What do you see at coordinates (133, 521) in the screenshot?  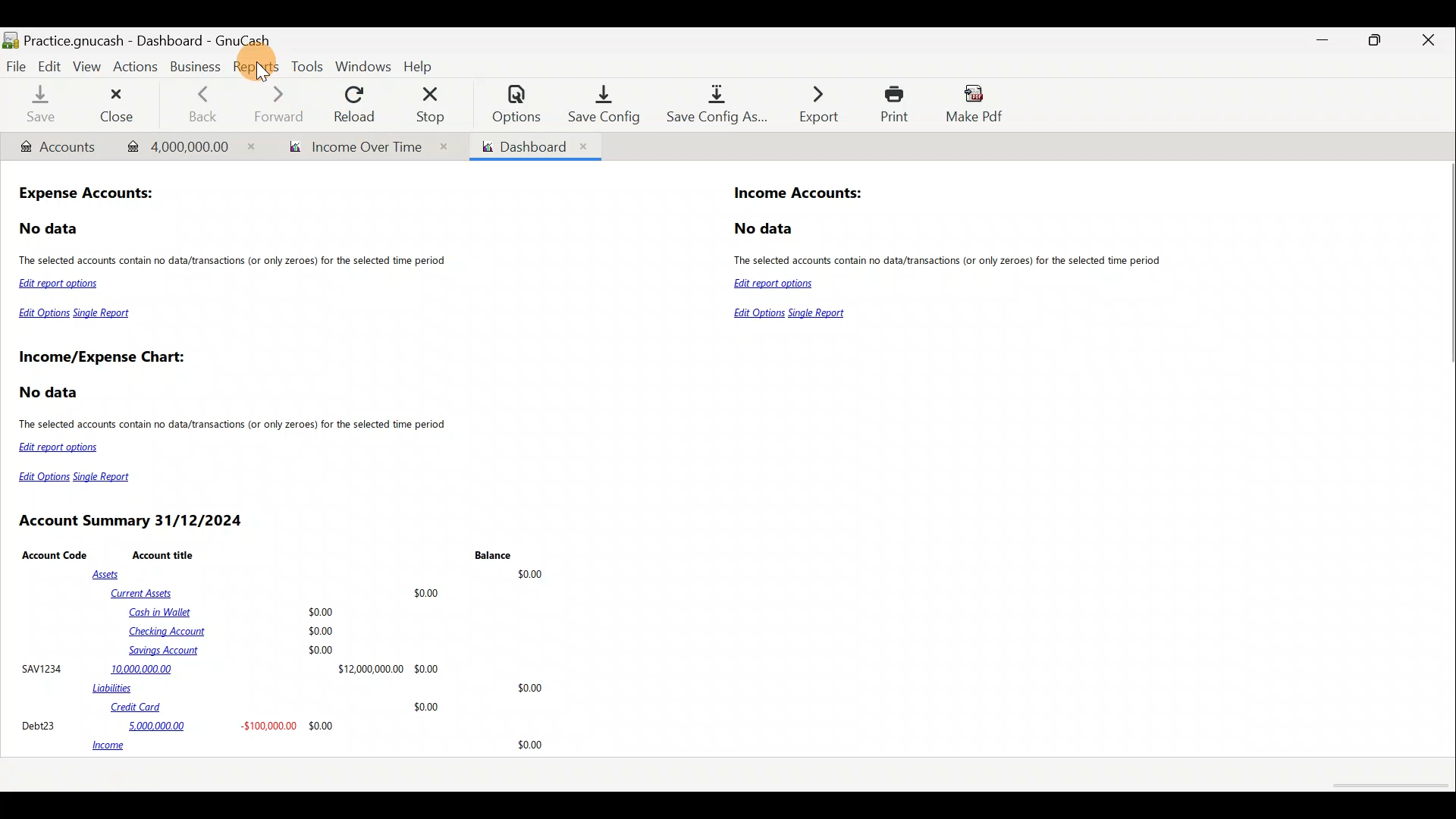 I see `Account Summary 31/12/2024` at bounding box center [133, 521].